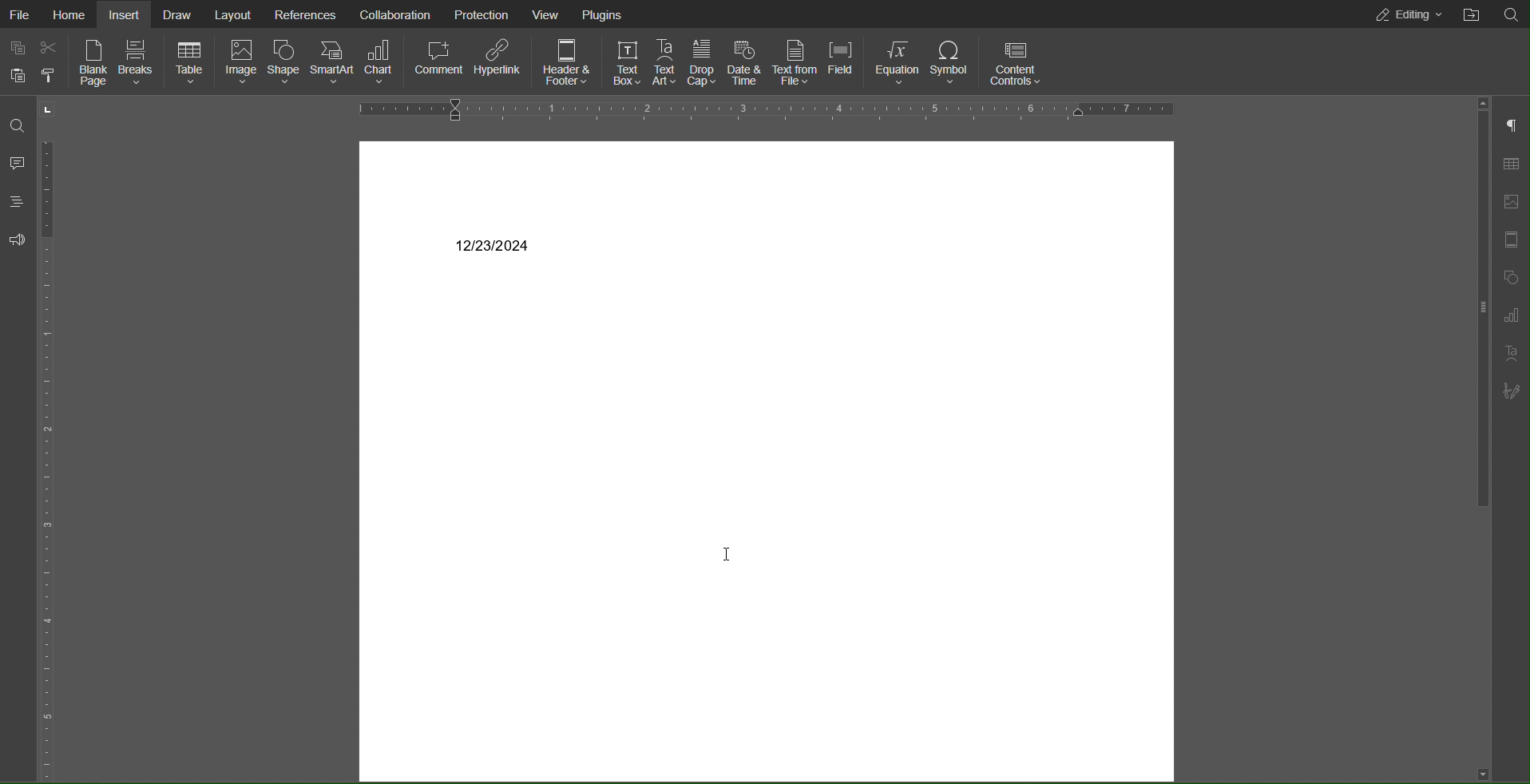  What do you see at coordinates (1406, 15) in the screenshot?
I see `Editing ` at bounding box center [1406, 15].